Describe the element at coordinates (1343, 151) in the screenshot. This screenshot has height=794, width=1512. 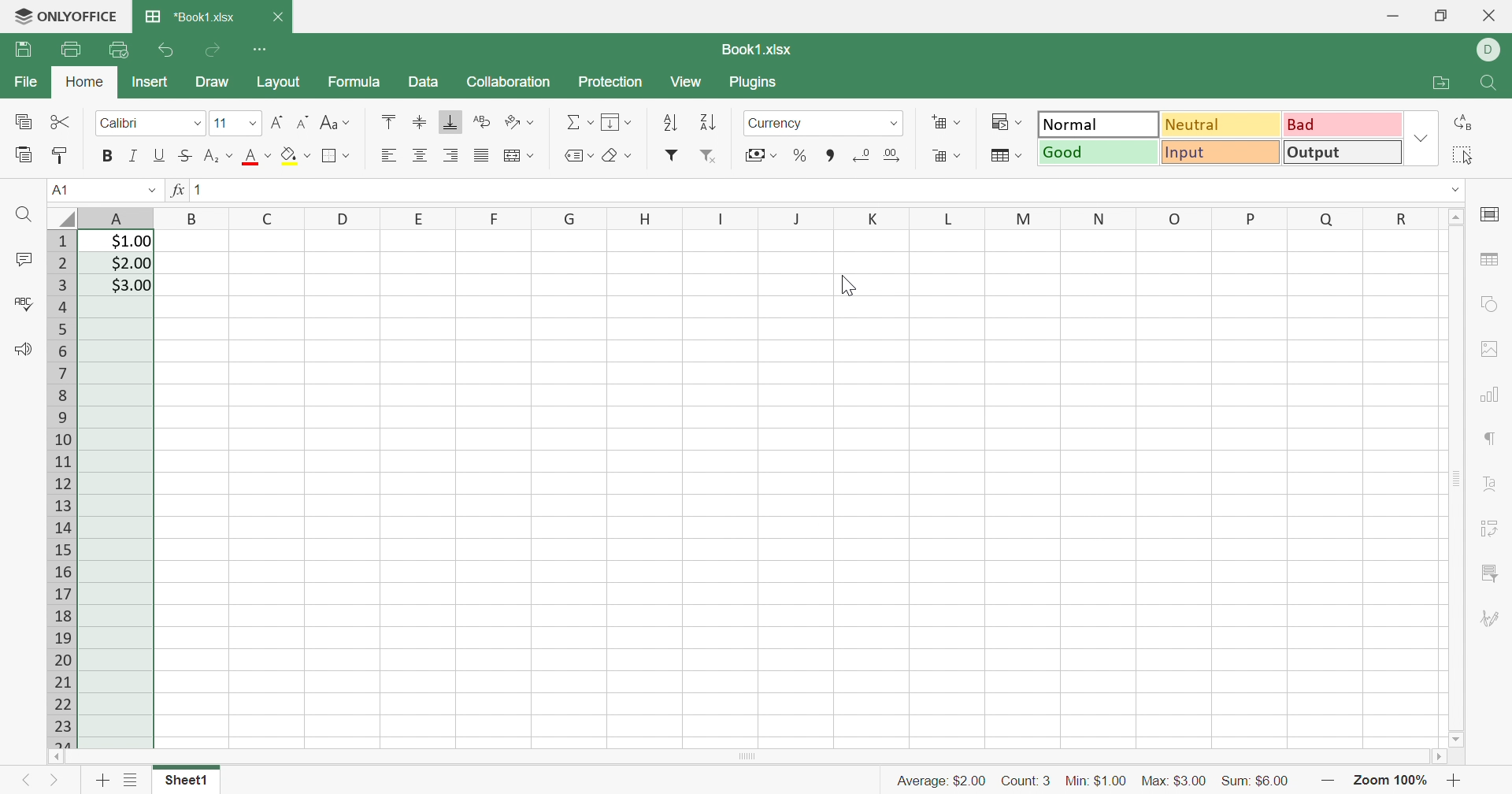
I see `Output` at that location.